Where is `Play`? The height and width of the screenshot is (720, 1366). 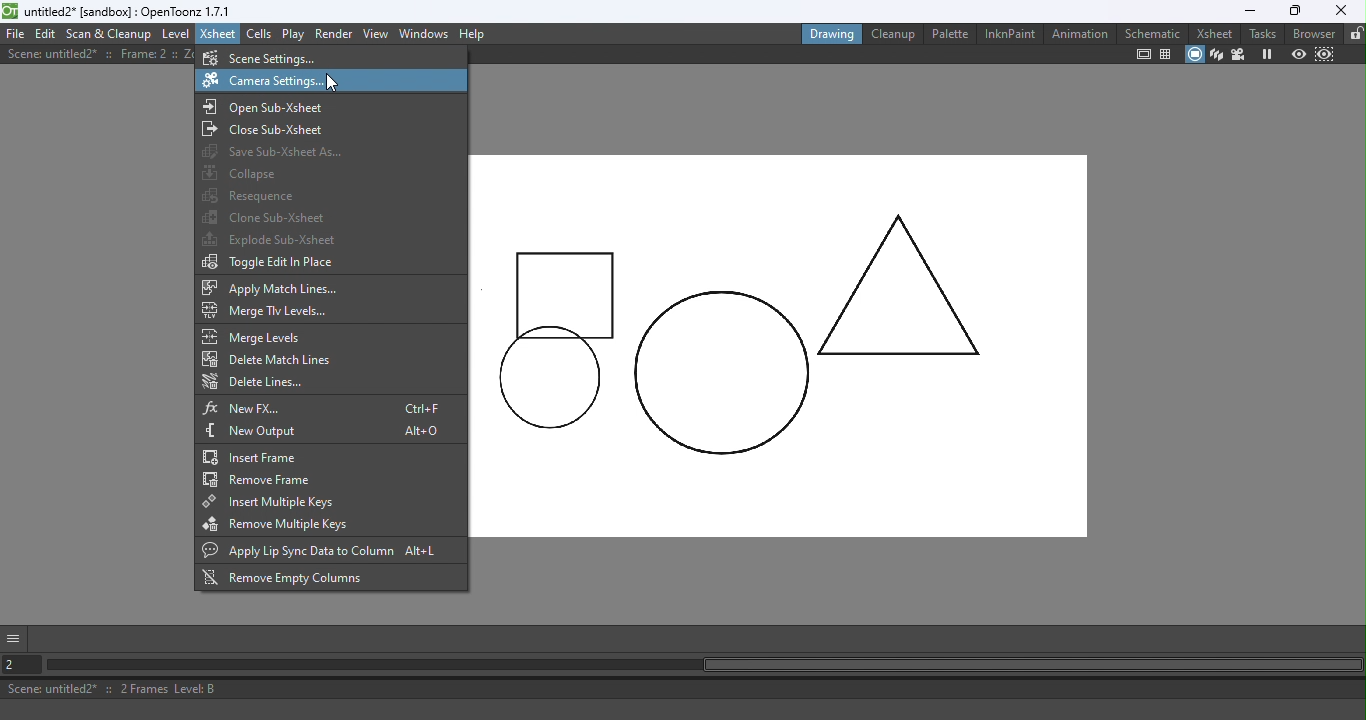 Play is located at coordinates (293, 34).